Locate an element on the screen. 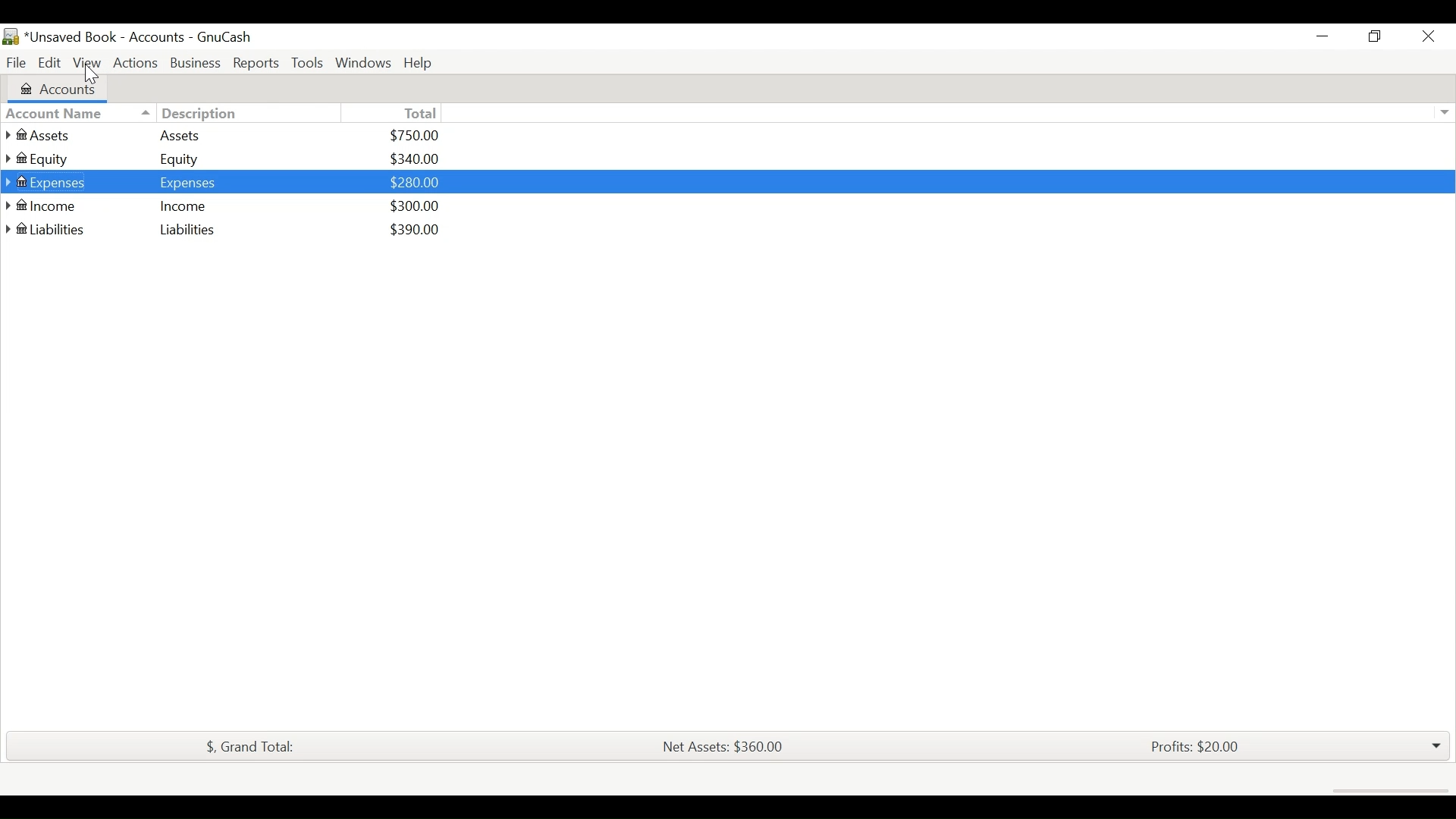  $300.00 is located at coordinates (416, 206).